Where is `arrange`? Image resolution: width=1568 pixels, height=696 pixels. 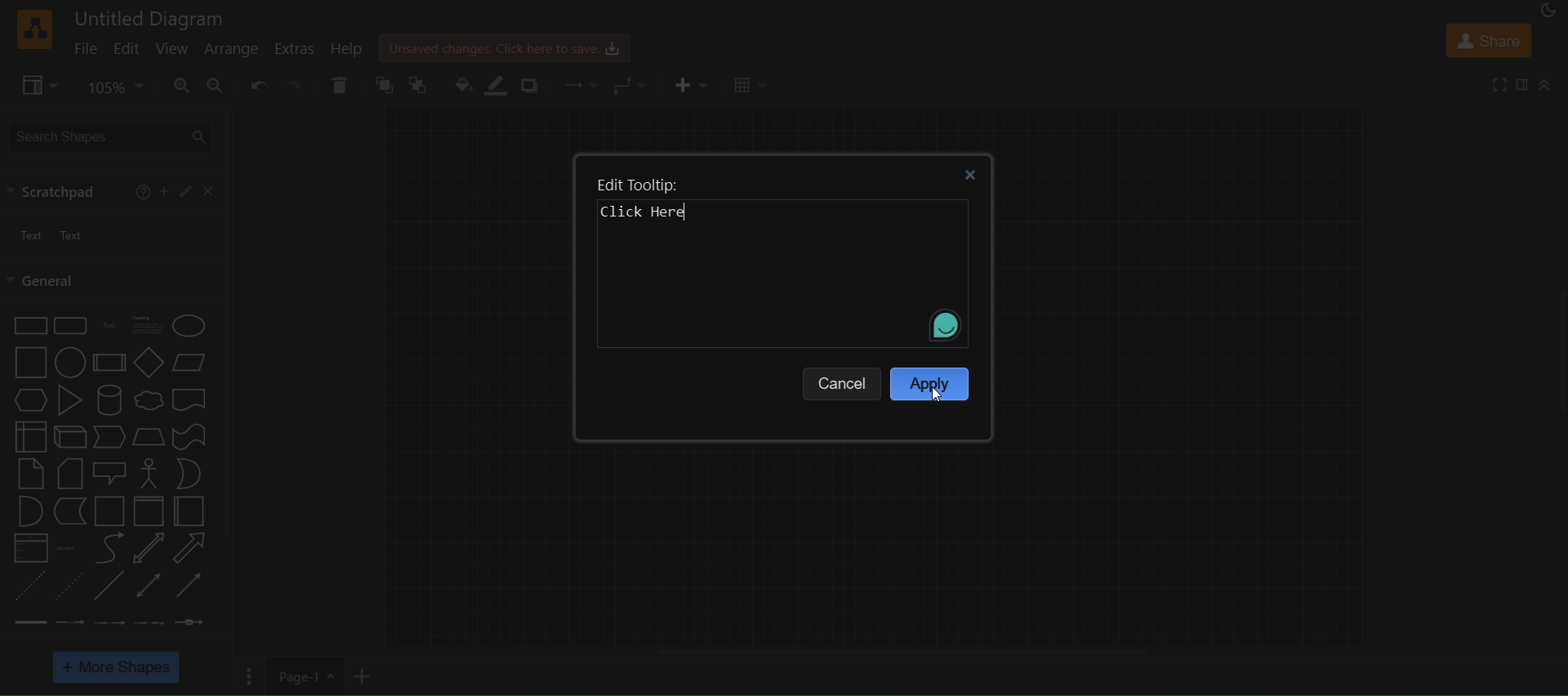 arrange is located at coordinates (231, 51).